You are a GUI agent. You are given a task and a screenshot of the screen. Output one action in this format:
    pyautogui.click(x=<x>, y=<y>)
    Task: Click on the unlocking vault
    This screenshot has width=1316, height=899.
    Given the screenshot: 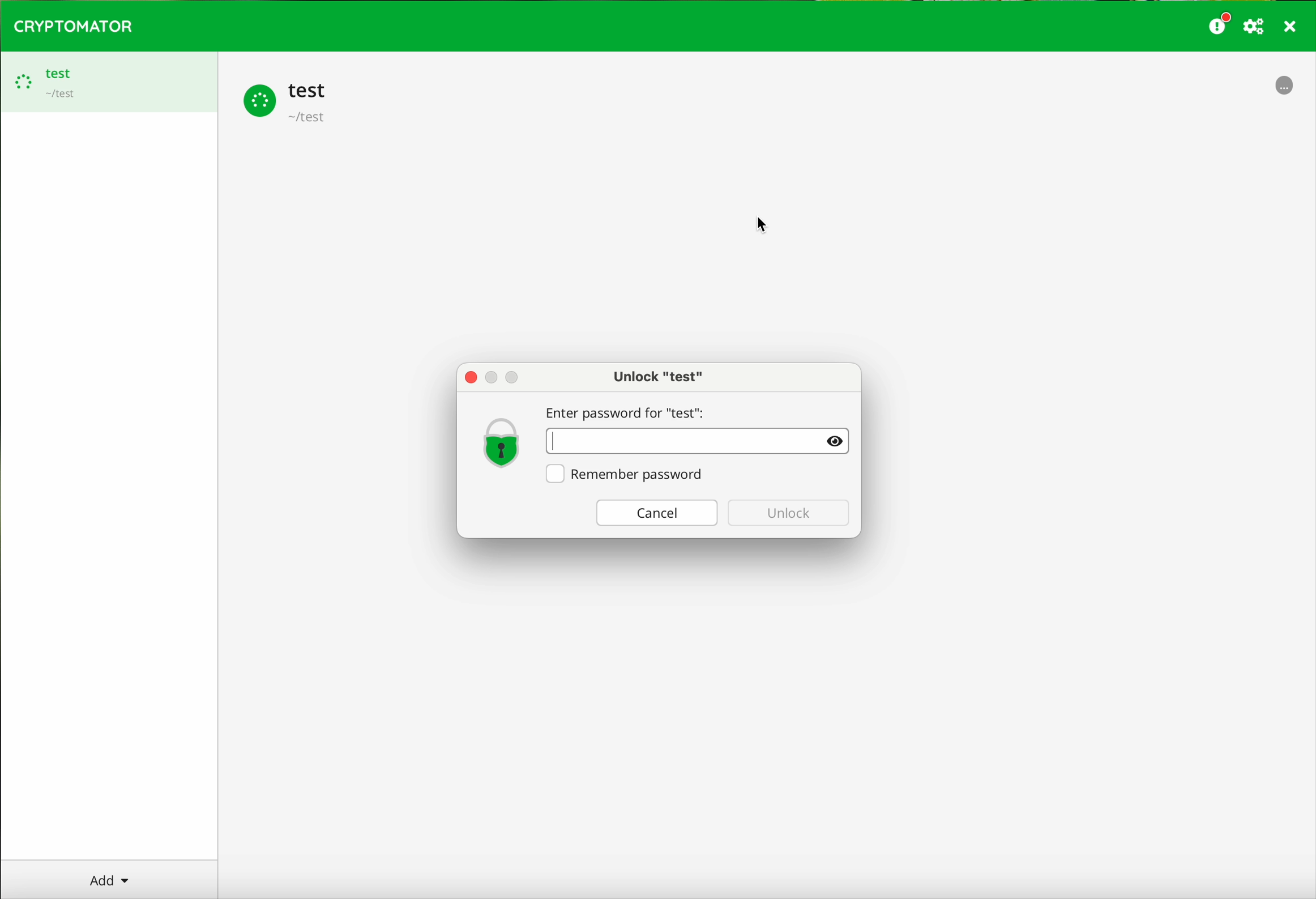 What is the action you would take?
    pyautogui.click(x=1285, y=90)
    